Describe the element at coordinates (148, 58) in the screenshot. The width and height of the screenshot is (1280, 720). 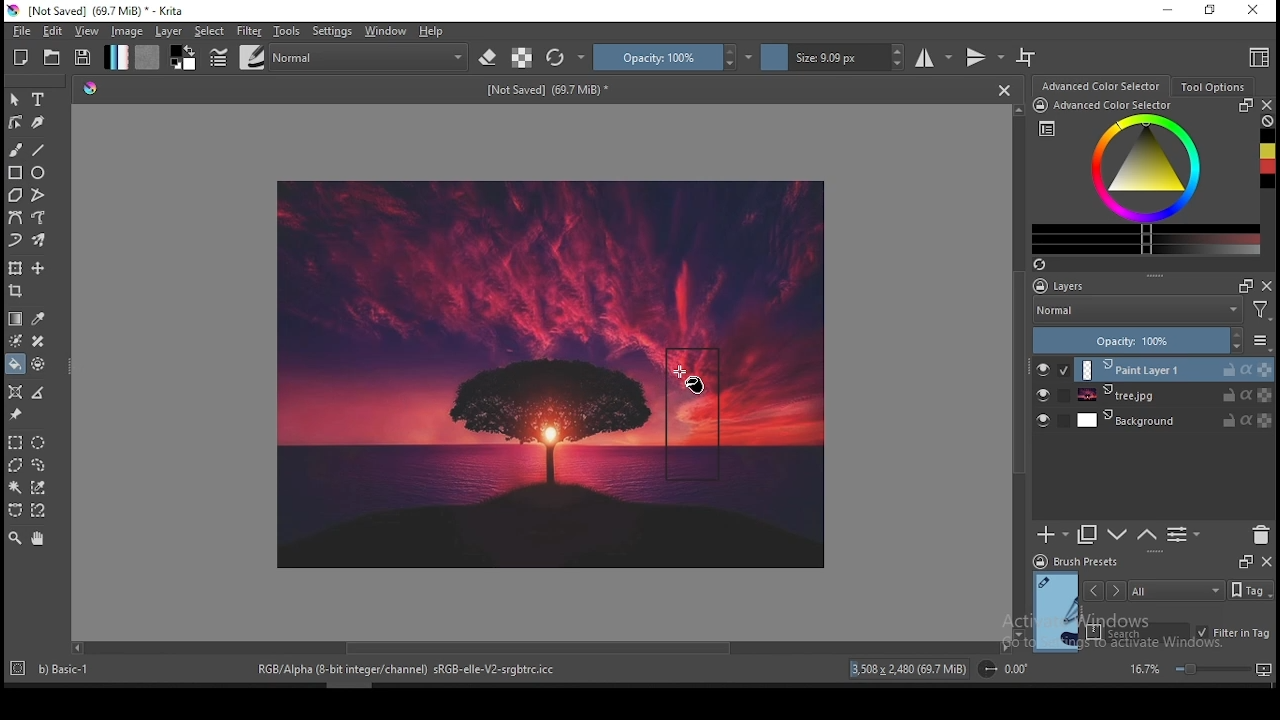
I see `pattern fill` at that location.